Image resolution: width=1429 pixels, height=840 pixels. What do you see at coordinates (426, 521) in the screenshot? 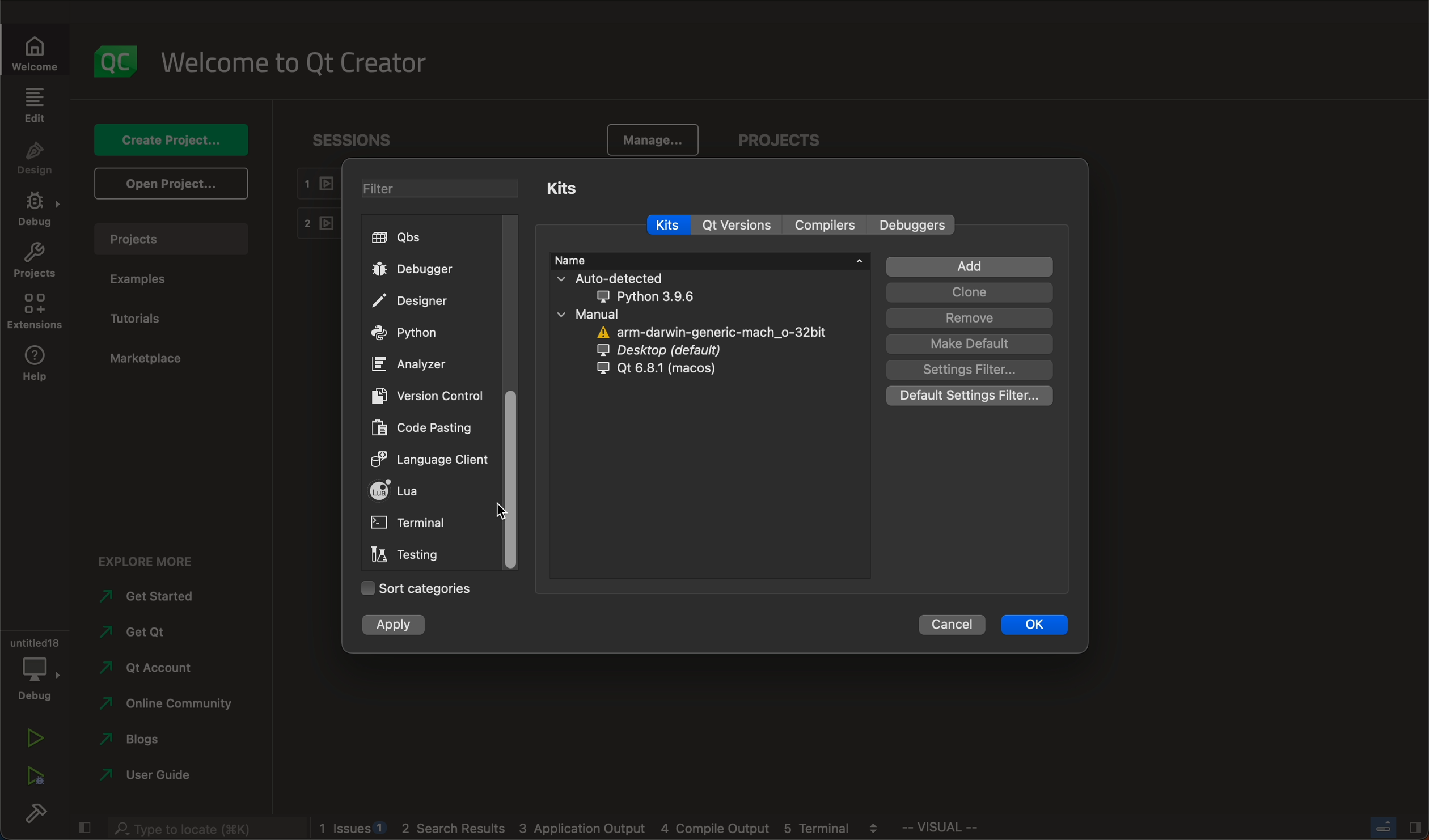
I see `terminal` at bounding box center [426, 521].